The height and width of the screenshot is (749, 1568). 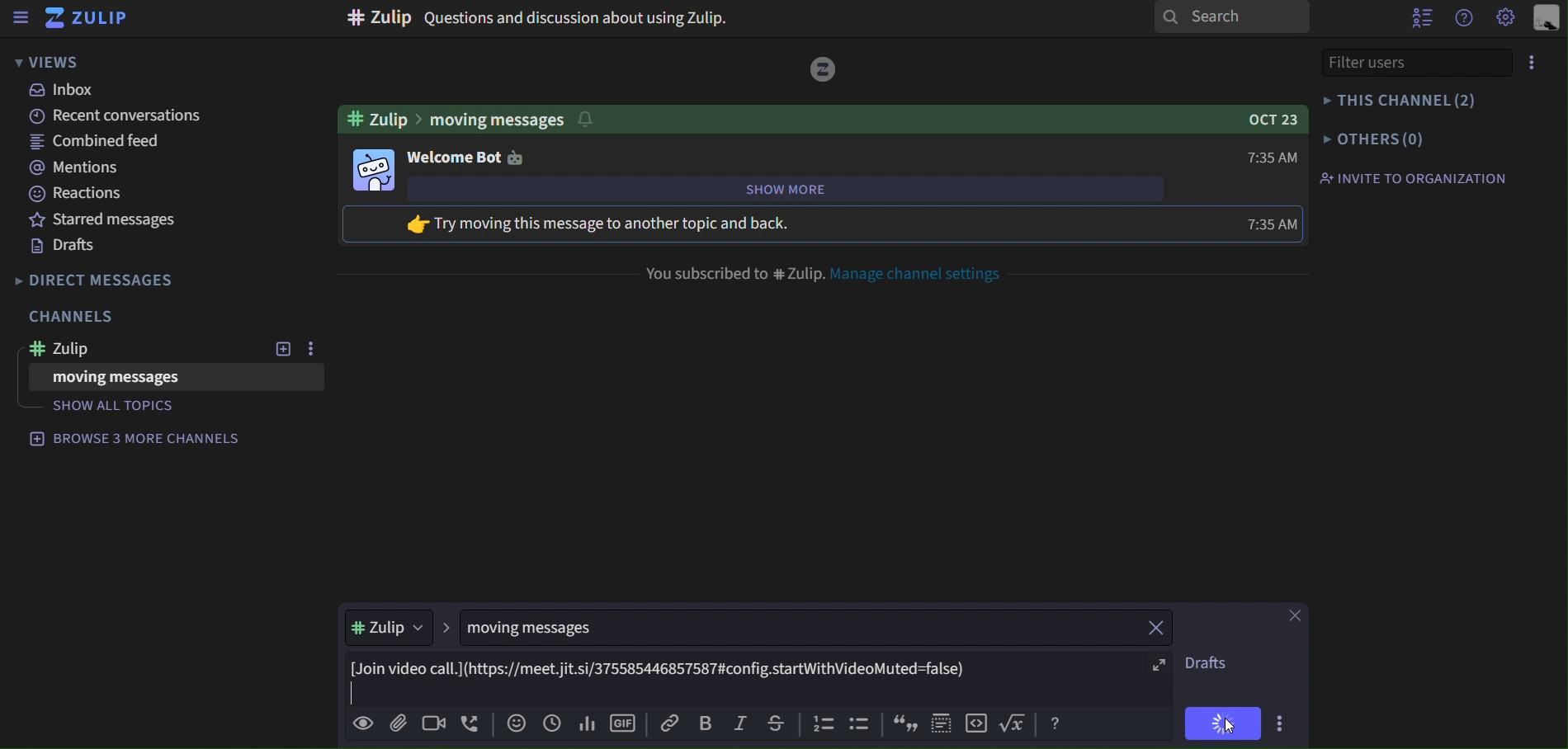 What do you see at coordinates (1543, 20) in the screenshot?
I see `personal menu` at bounding box center [1543, 20].